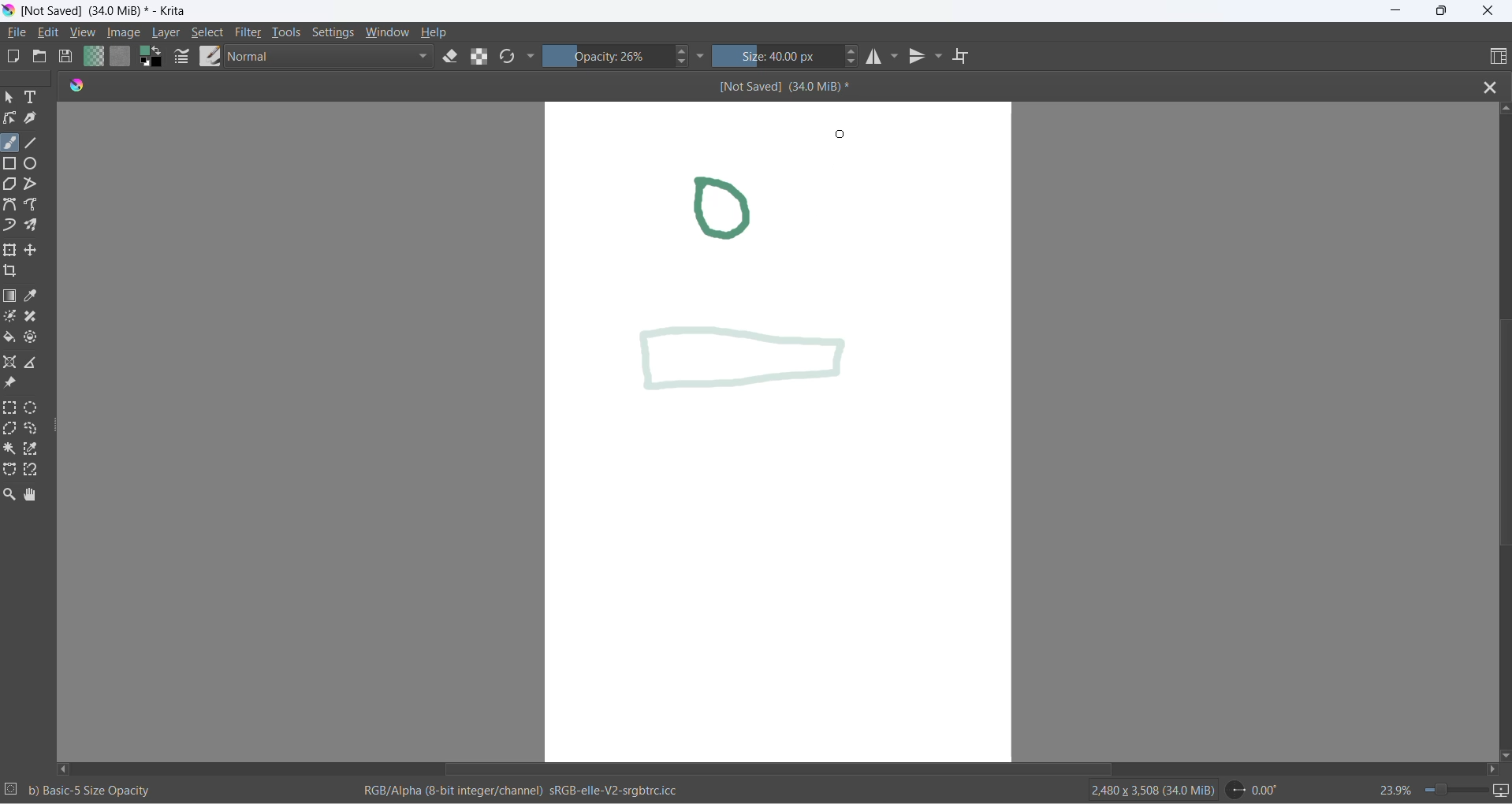 The width and height of the screenshot is (1512, 804). What do you see at coordinates (34, 471) in the screenshot?
I see `magnetic curve selection tool` at bounding box center [34, 471].